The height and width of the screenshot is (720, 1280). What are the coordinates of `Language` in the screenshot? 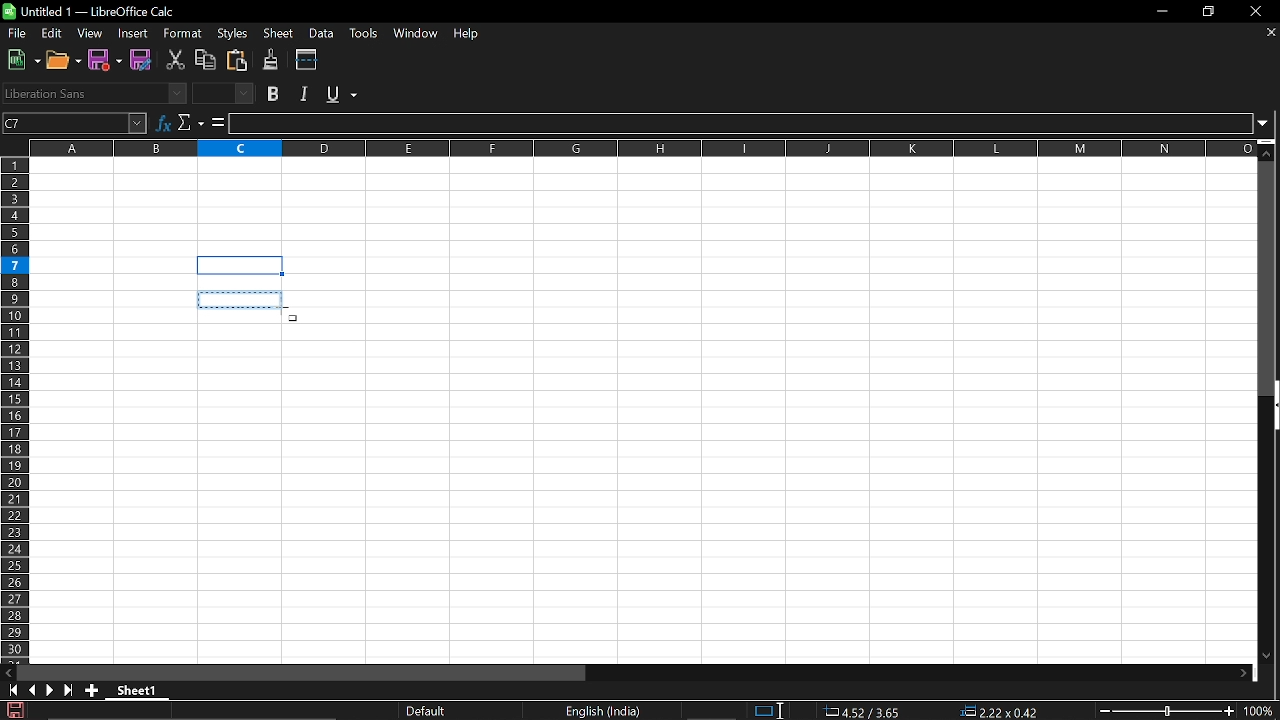 It's located at (603, 712).